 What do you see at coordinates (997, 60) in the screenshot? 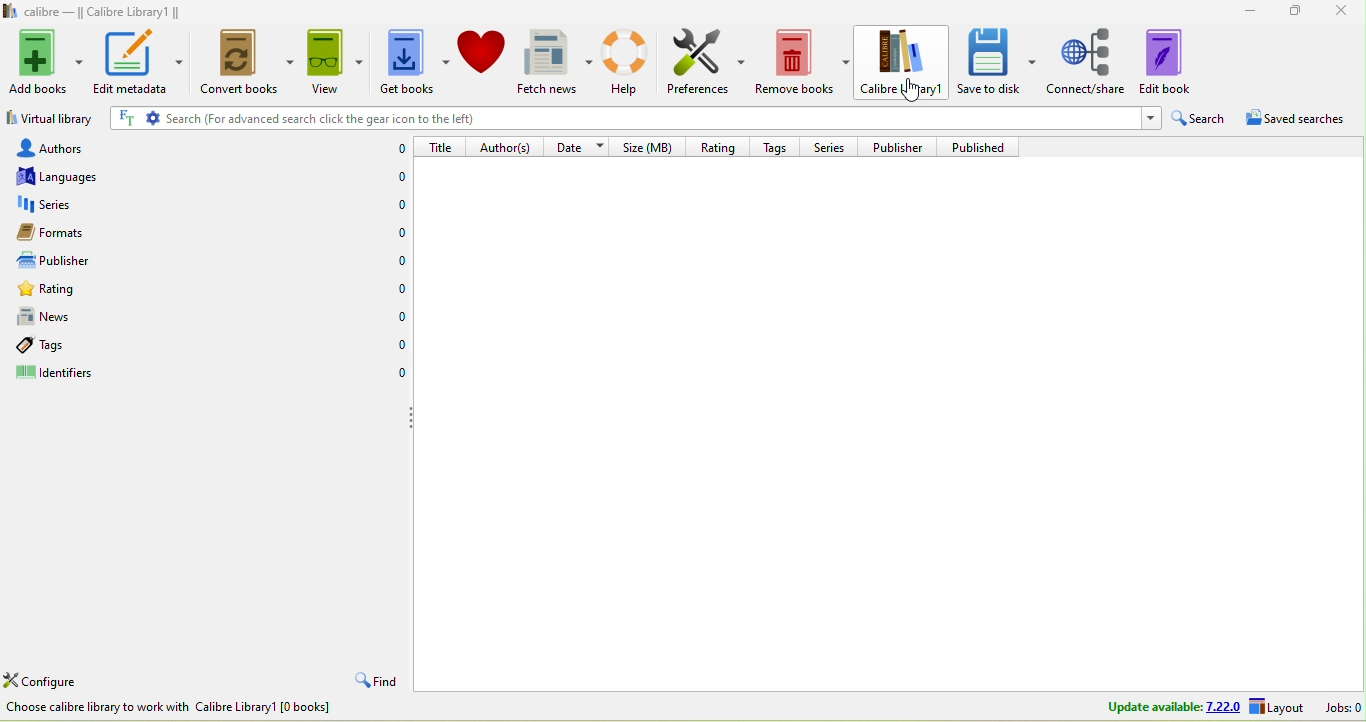
I see `save to disk` at bounding box center [997, 60].